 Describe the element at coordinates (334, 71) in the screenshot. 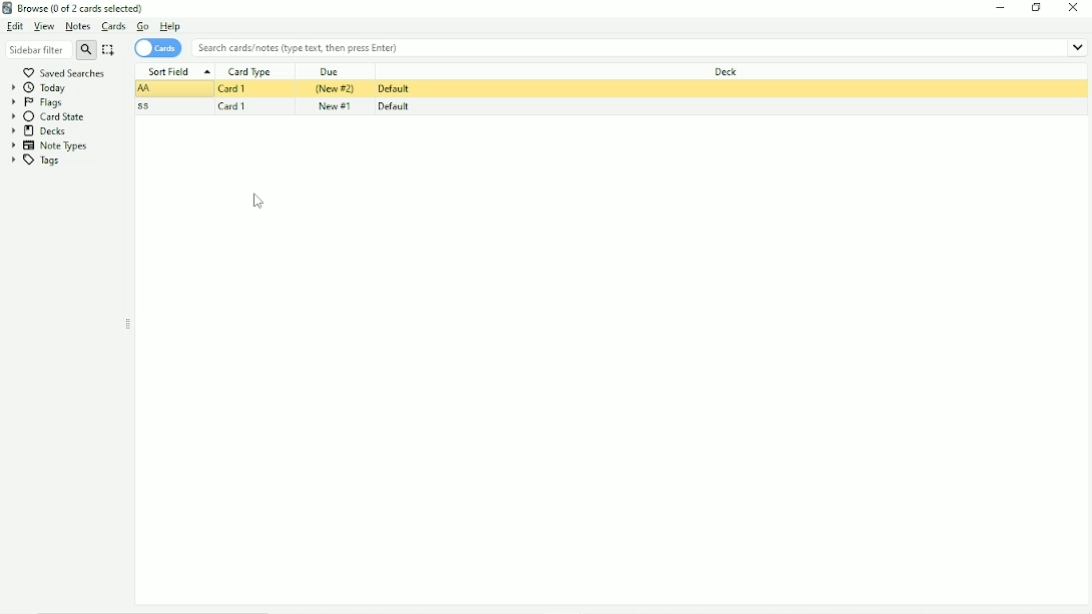

I see `Due` at that location.